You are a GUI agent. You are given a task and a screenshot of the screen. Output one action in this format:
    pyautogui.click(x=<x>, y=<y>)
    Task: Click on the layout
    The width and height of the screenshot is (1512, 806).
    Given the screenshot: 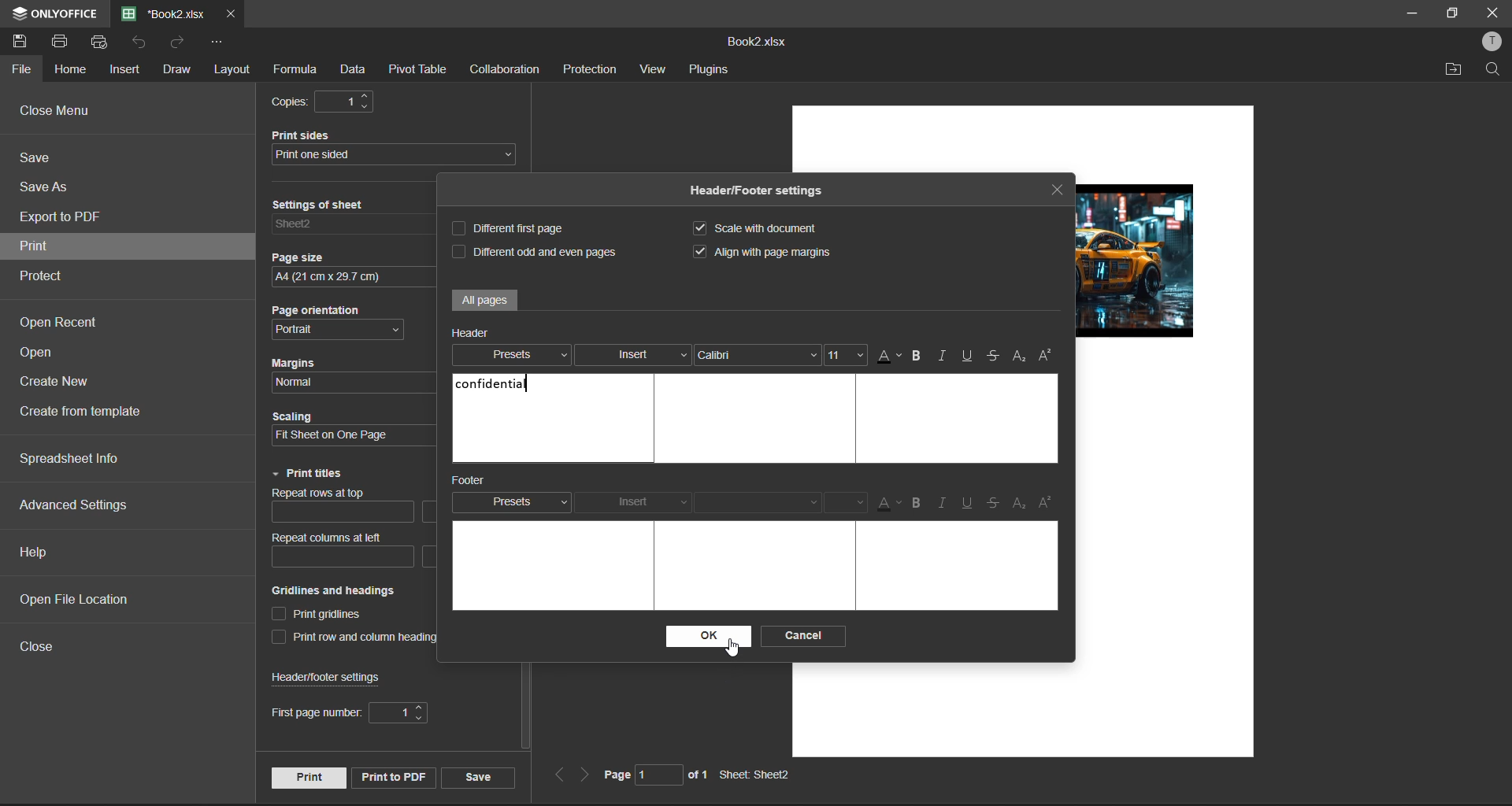 What is the action you would take?
    pyautogui.click(x=235, y=70)
    